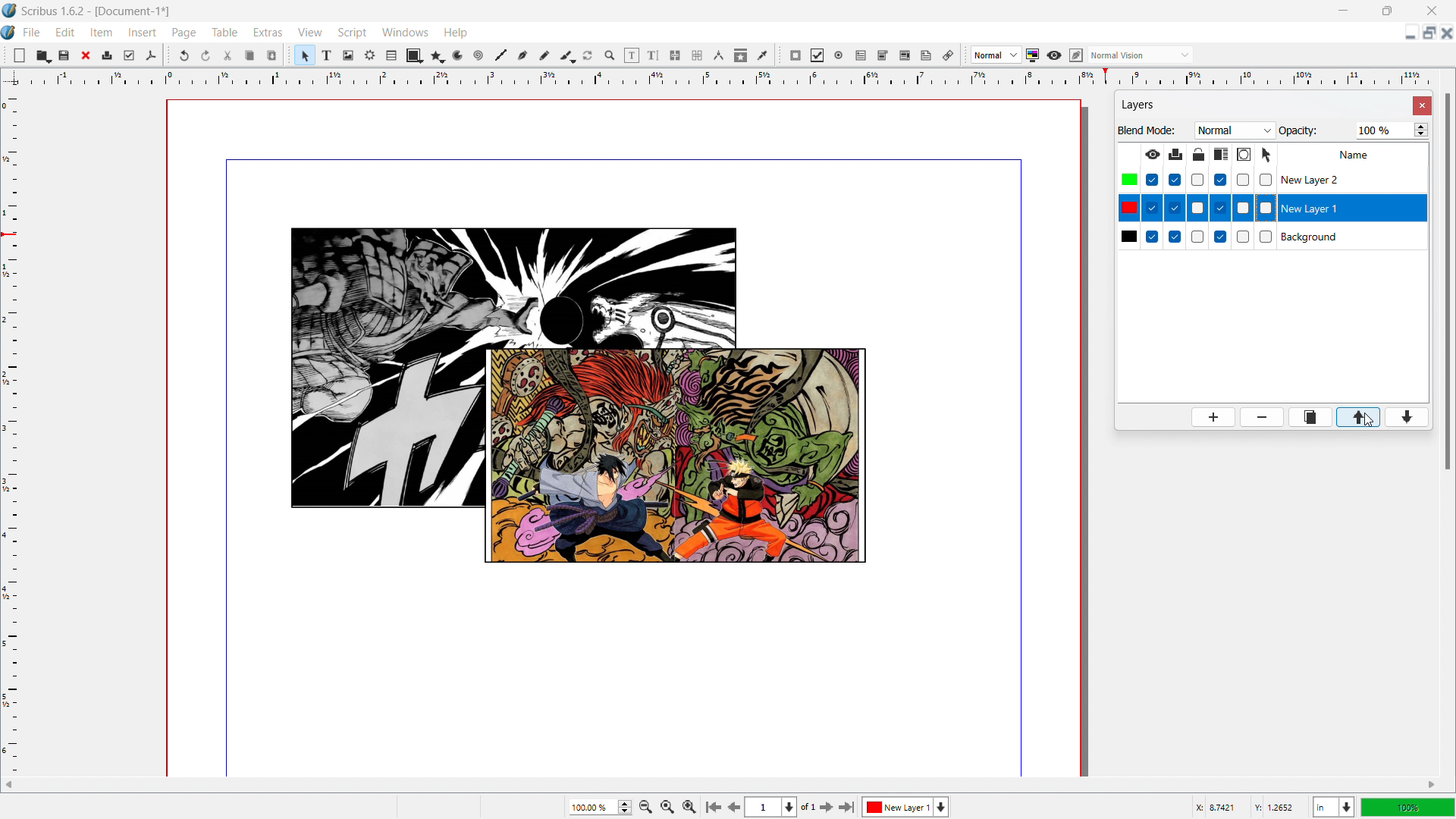 The image size is (1456, 819). What do you see at coordinates (808, 808) in the screenshot?
I see `of 1` at bounding box center [808, 808].